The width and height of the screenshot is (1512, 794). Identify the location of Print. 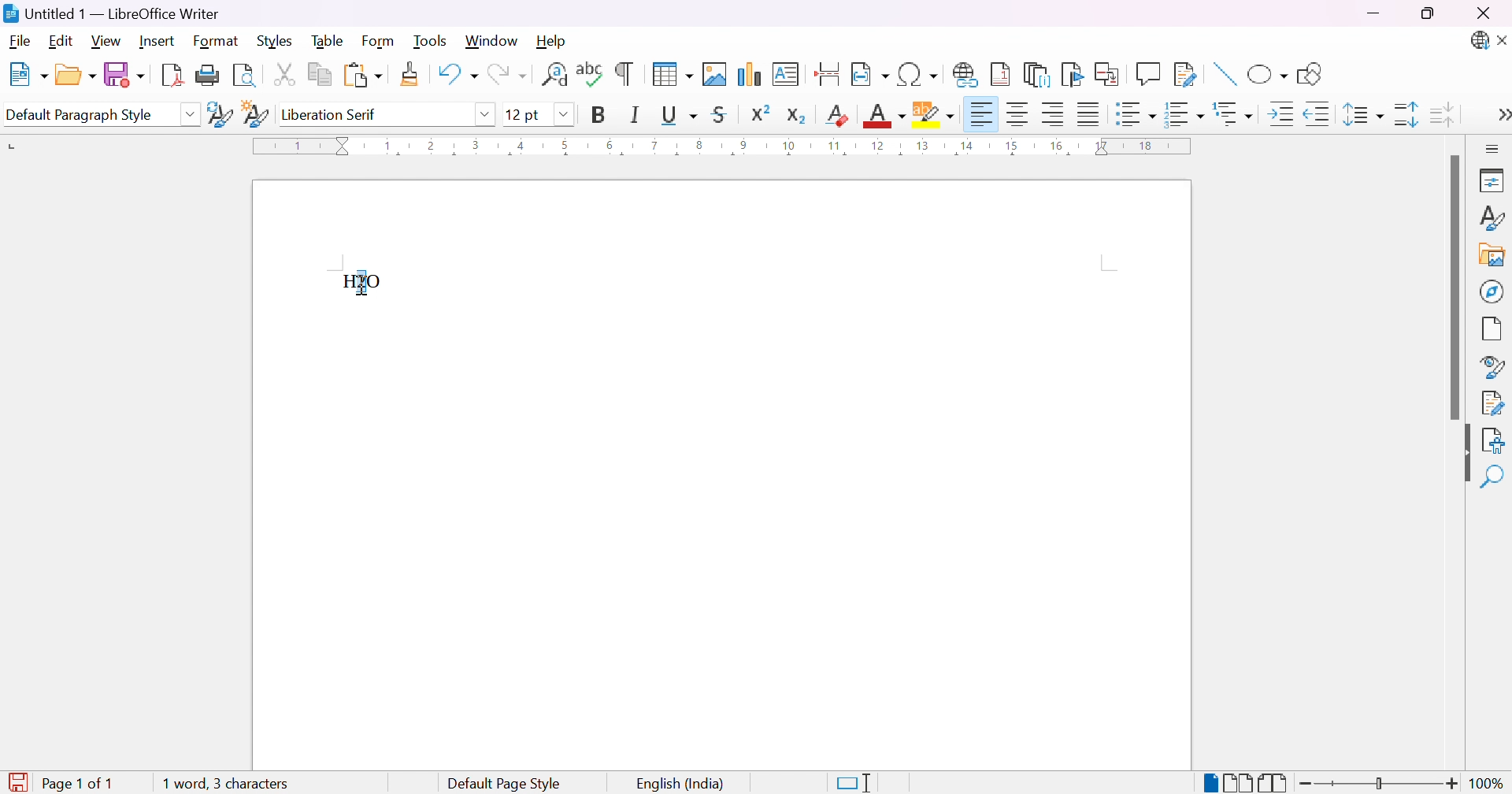
(208, 76).